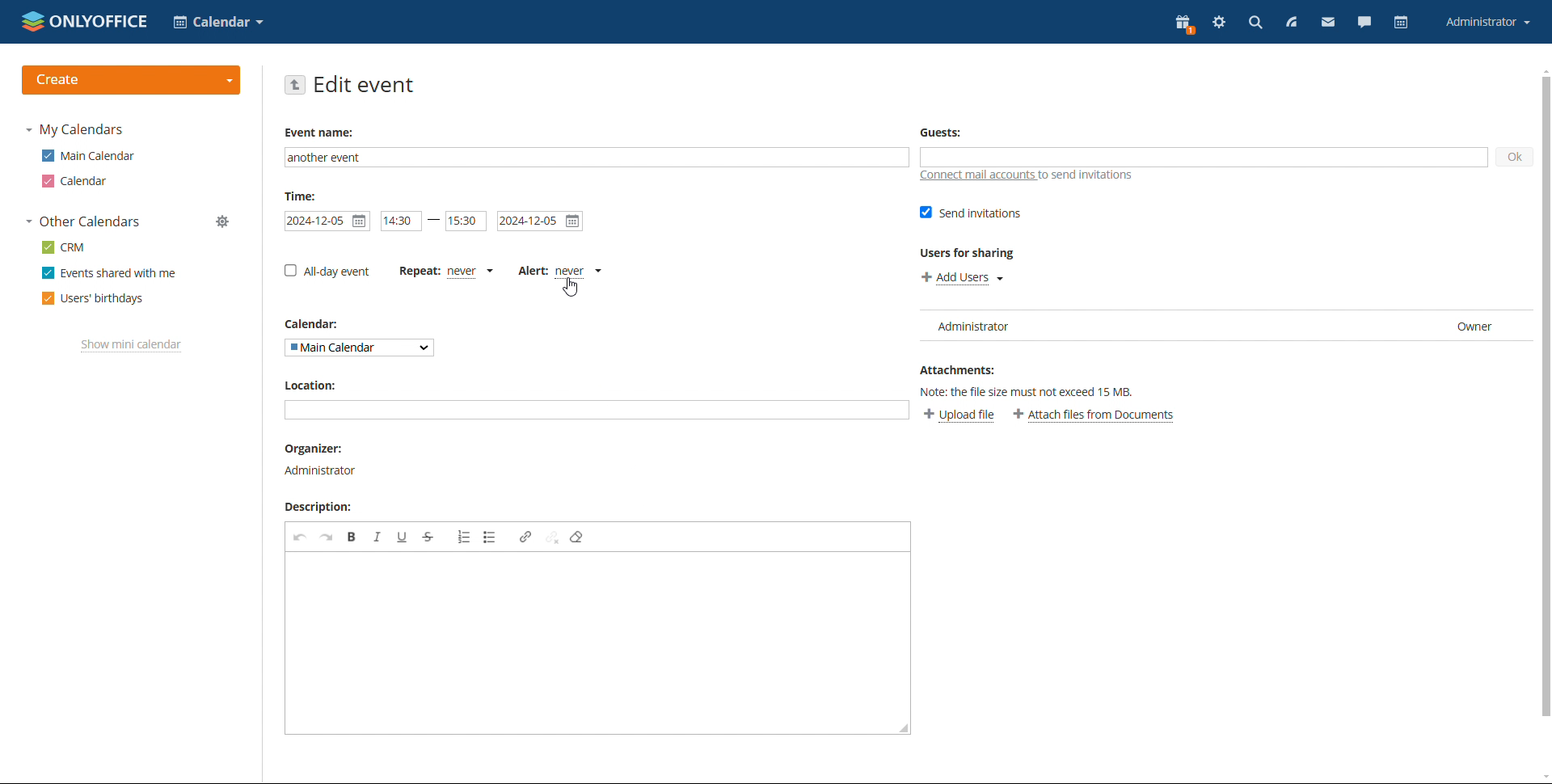 This screenshot has width=1552, height=784. What do you see at coordinates (403, 537) in the screenshot?
I see `underline` at bounding box center [403, 537].